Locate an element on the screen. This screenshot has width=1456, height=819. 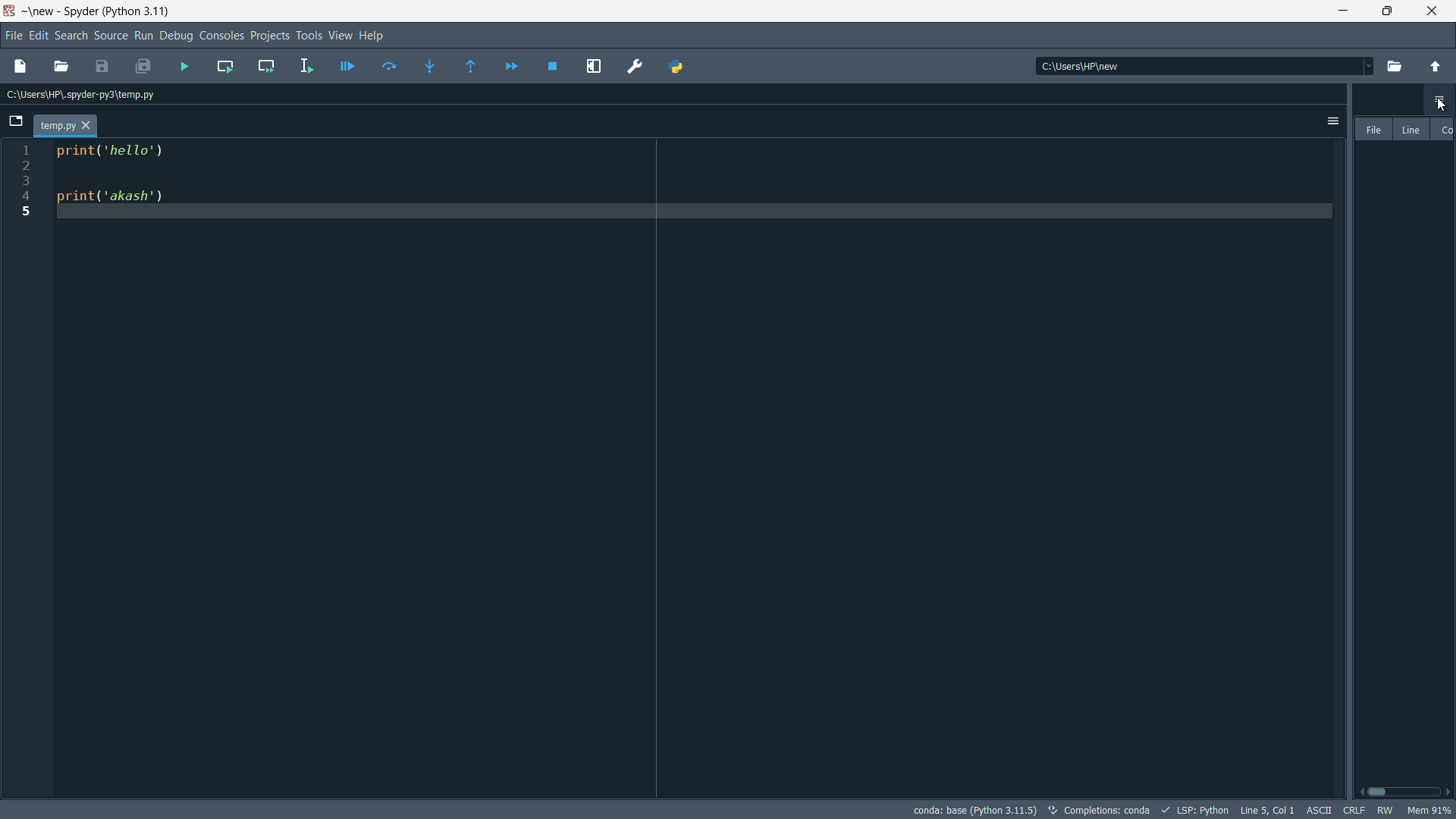
parent directory is located at coordinates (1432, 67).